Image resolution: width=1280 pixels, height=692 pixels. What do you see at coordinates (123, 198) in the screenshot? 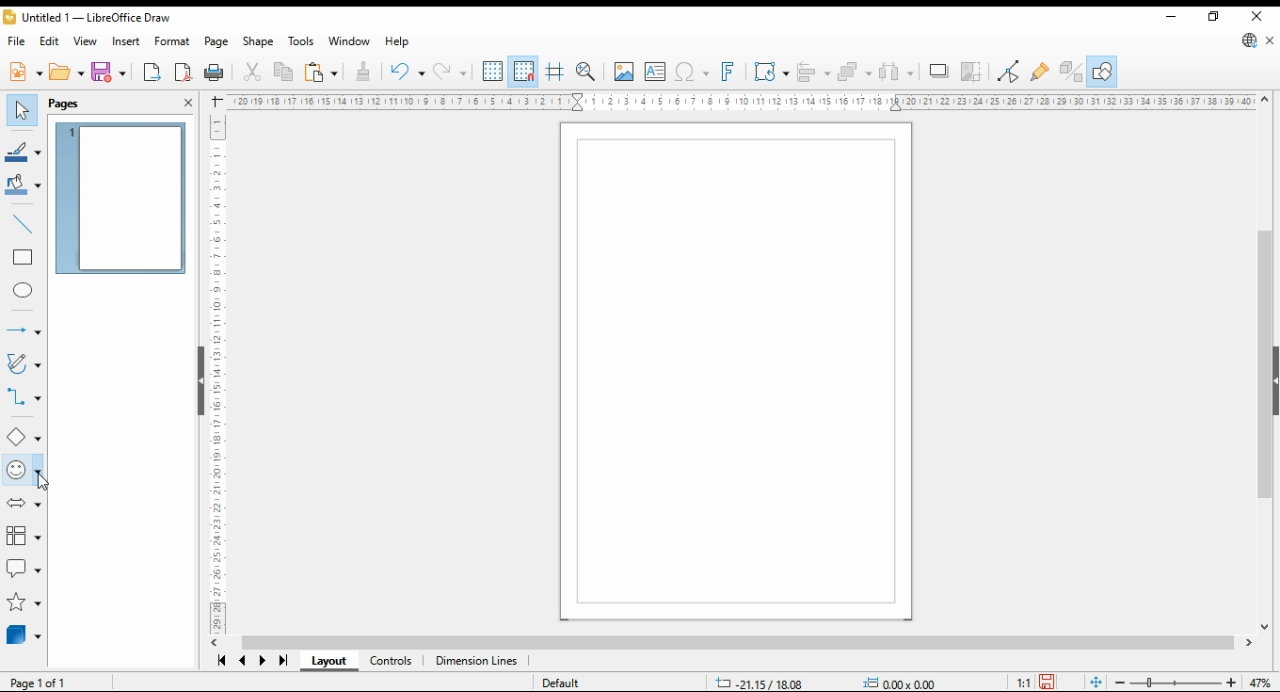
I see `page 1` at bounding box center [123, 198].